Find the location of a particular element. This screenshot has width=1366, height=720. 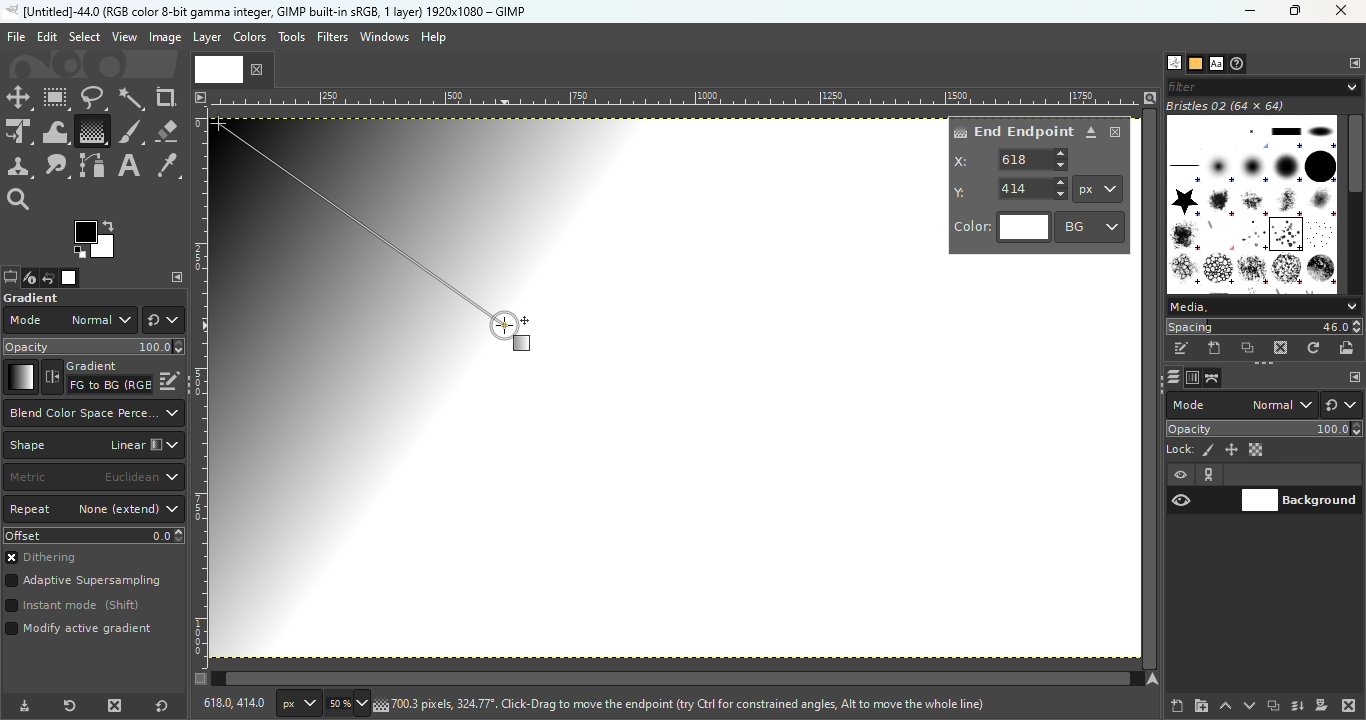

Media is located at coordinates (1262, 307).